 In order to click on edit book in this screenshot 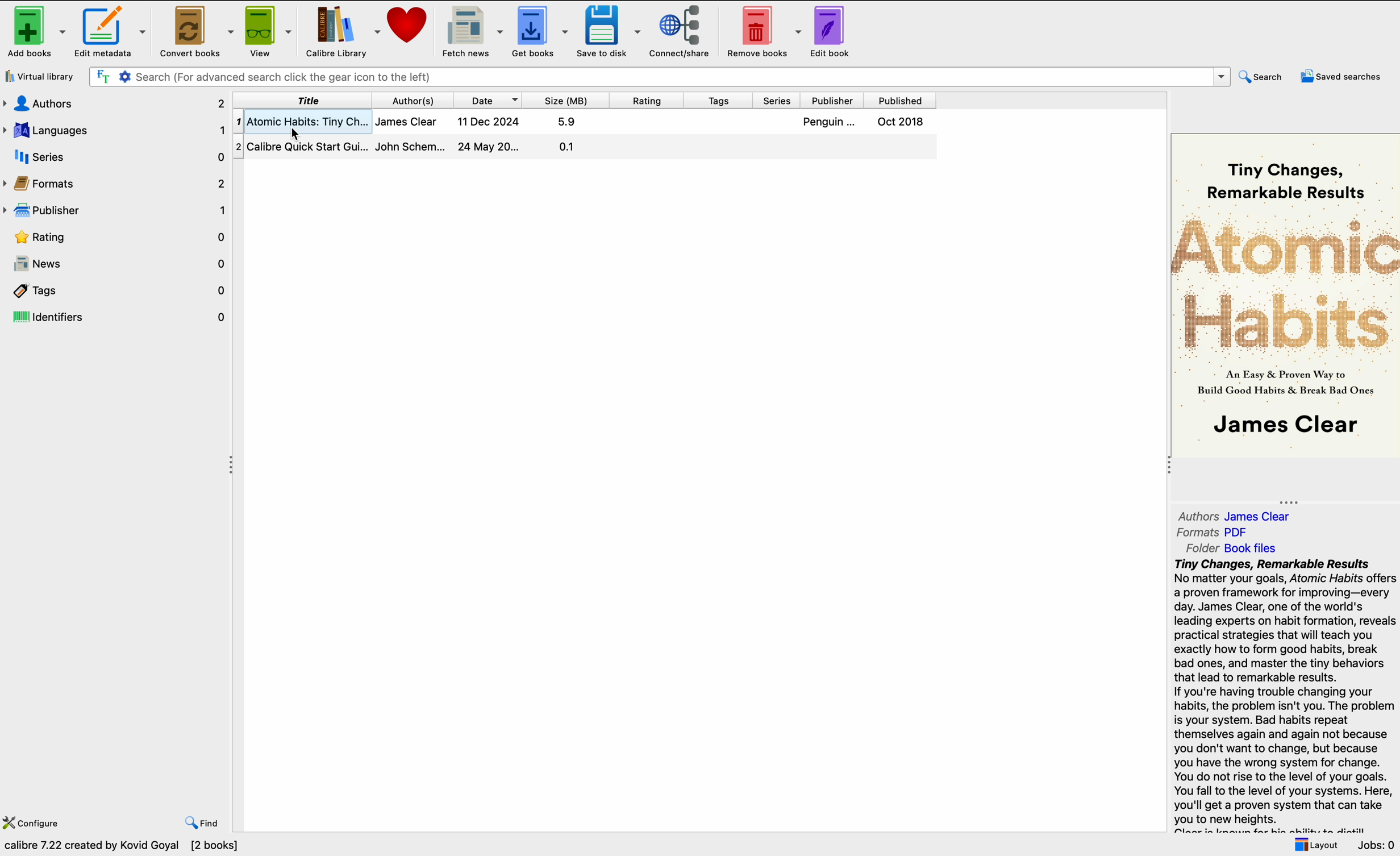, I will do `click(830, 32)`.